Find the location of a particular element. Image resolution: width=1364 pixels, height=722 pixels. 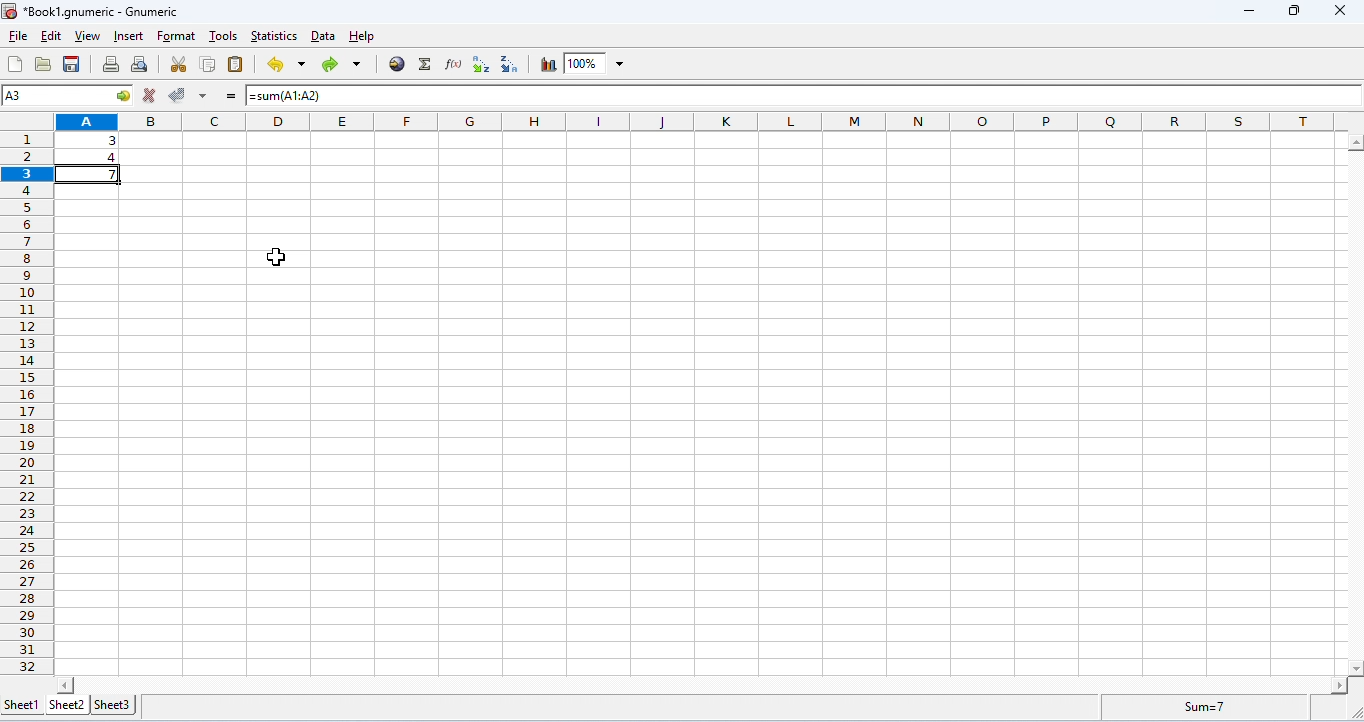

selected cell is located at coordinates (67, 97).